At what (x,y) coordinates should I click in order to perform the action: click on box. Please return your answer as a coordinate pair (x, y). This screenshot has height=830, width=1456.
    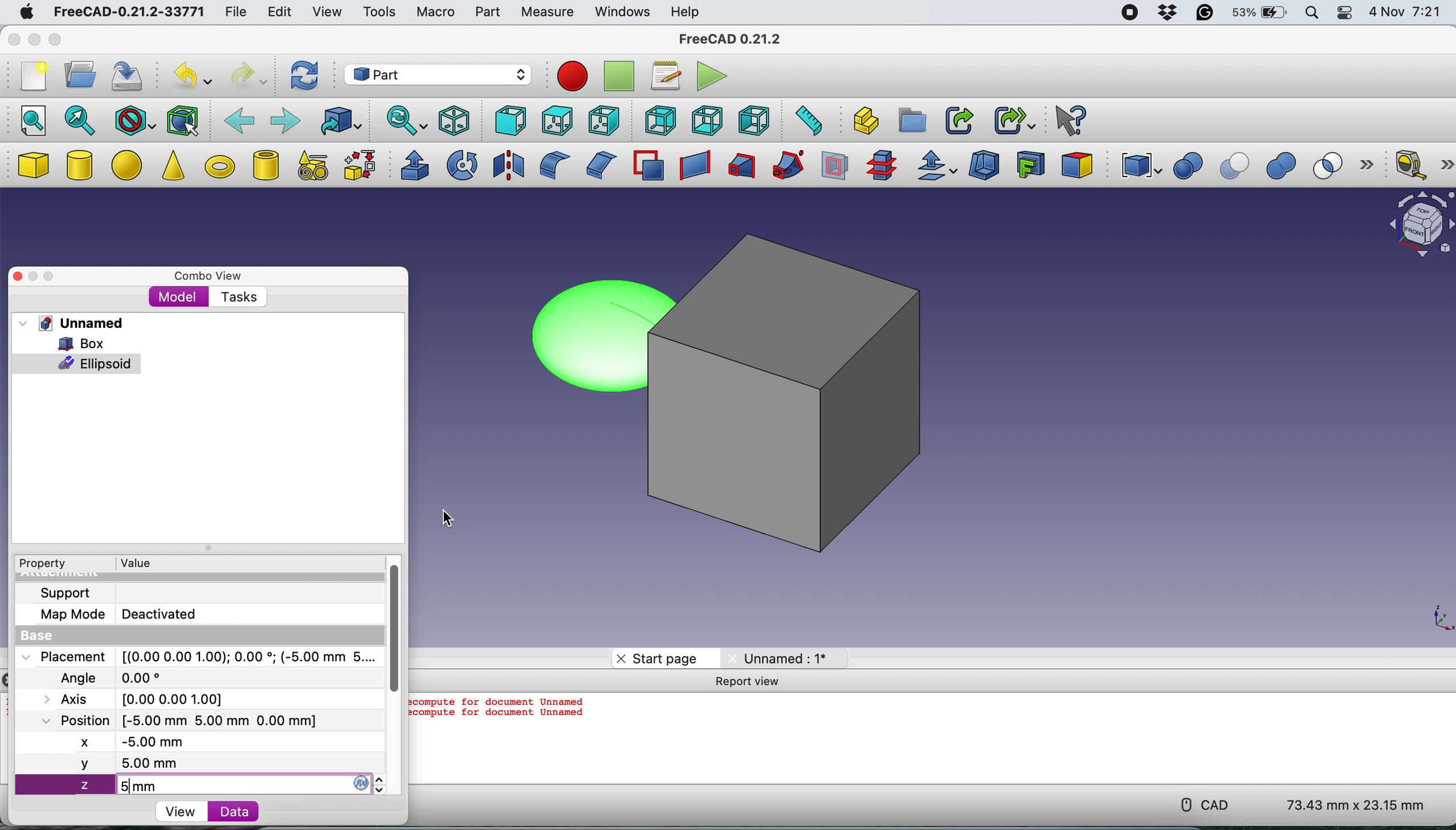
    Looking at the image, I should click on (78, 343).